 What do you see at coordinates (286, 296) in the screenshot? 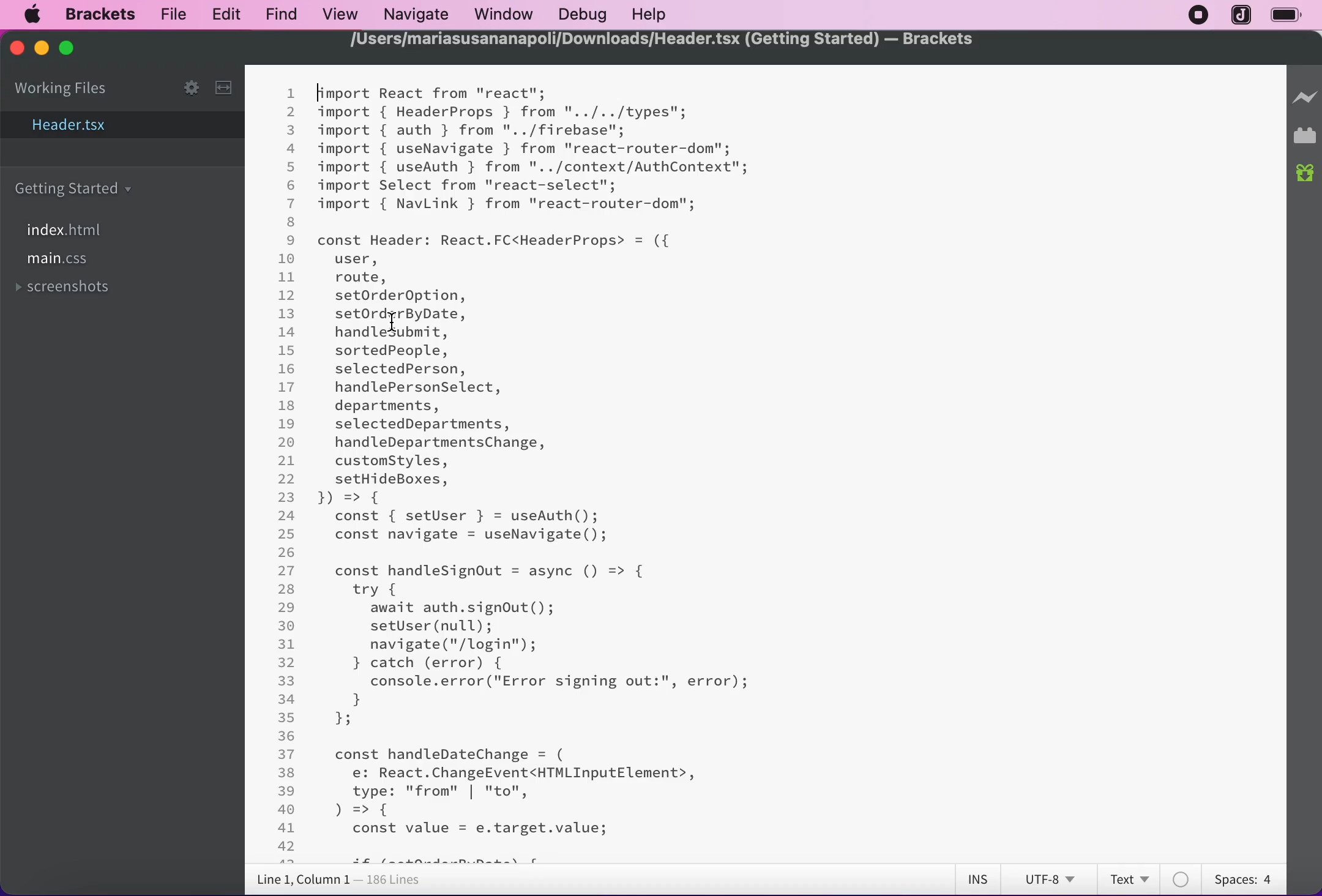
I see `12` at bounding box center [286, 296].